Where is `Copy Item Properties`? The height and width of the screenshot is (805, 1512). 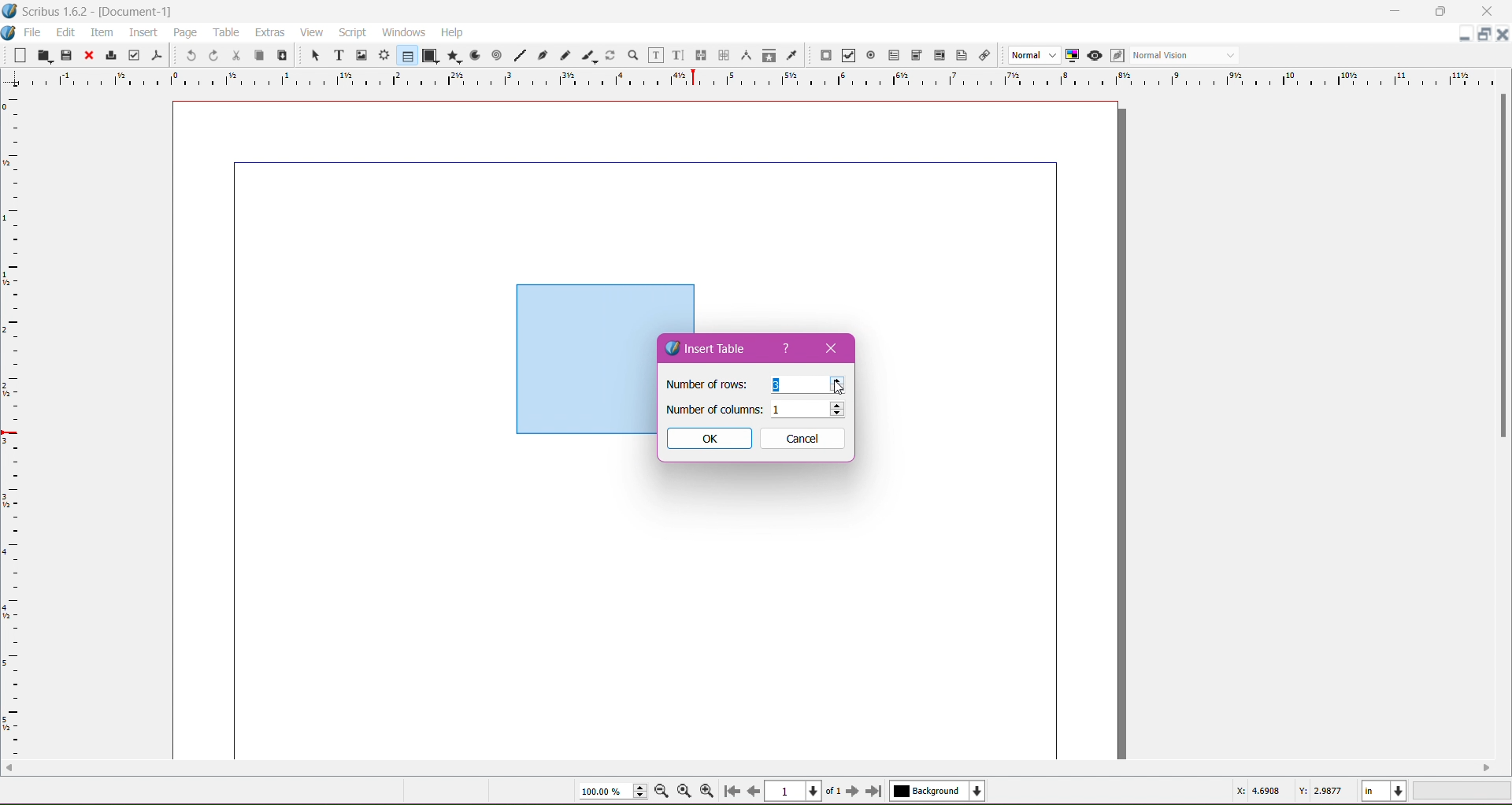
Copy Item Properties is located at coordinates (769, 54).